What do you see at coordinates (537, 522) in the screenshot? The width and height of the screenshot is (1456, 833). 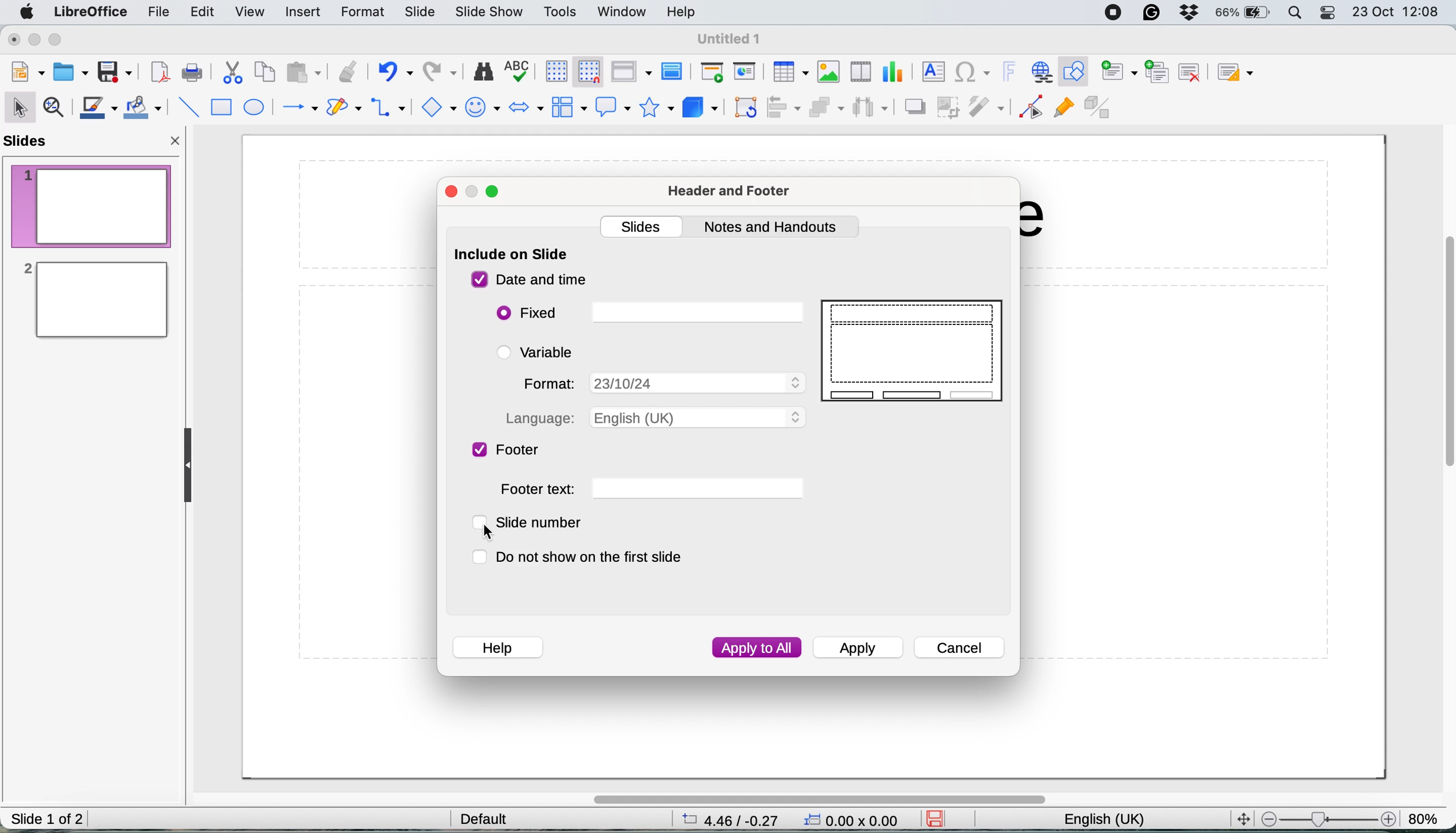 I see `slide number` at bounding box center [537, 522].